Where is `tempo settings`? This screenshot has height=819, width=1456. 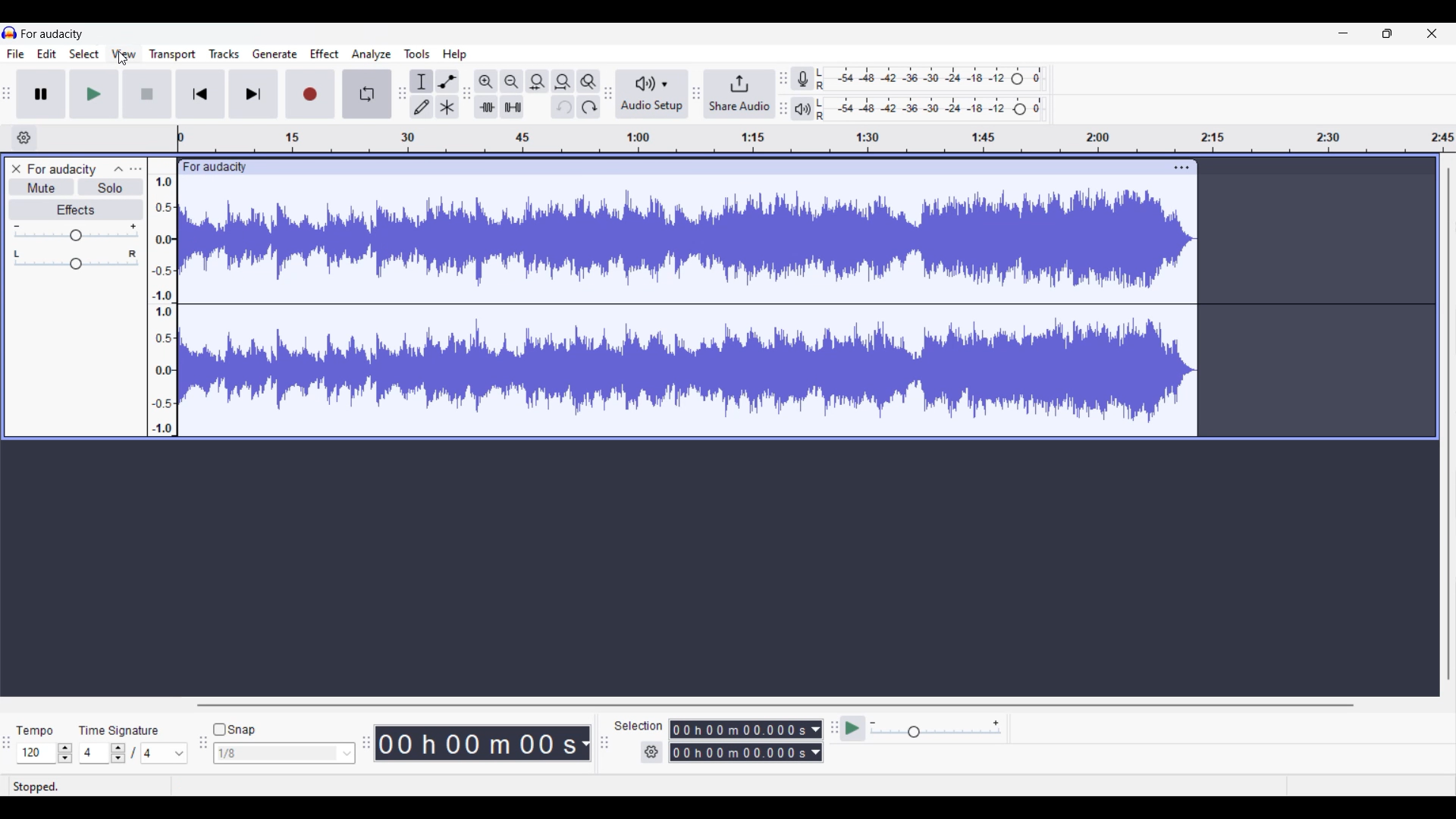
tempo settings is located at coordinates (45, 753).